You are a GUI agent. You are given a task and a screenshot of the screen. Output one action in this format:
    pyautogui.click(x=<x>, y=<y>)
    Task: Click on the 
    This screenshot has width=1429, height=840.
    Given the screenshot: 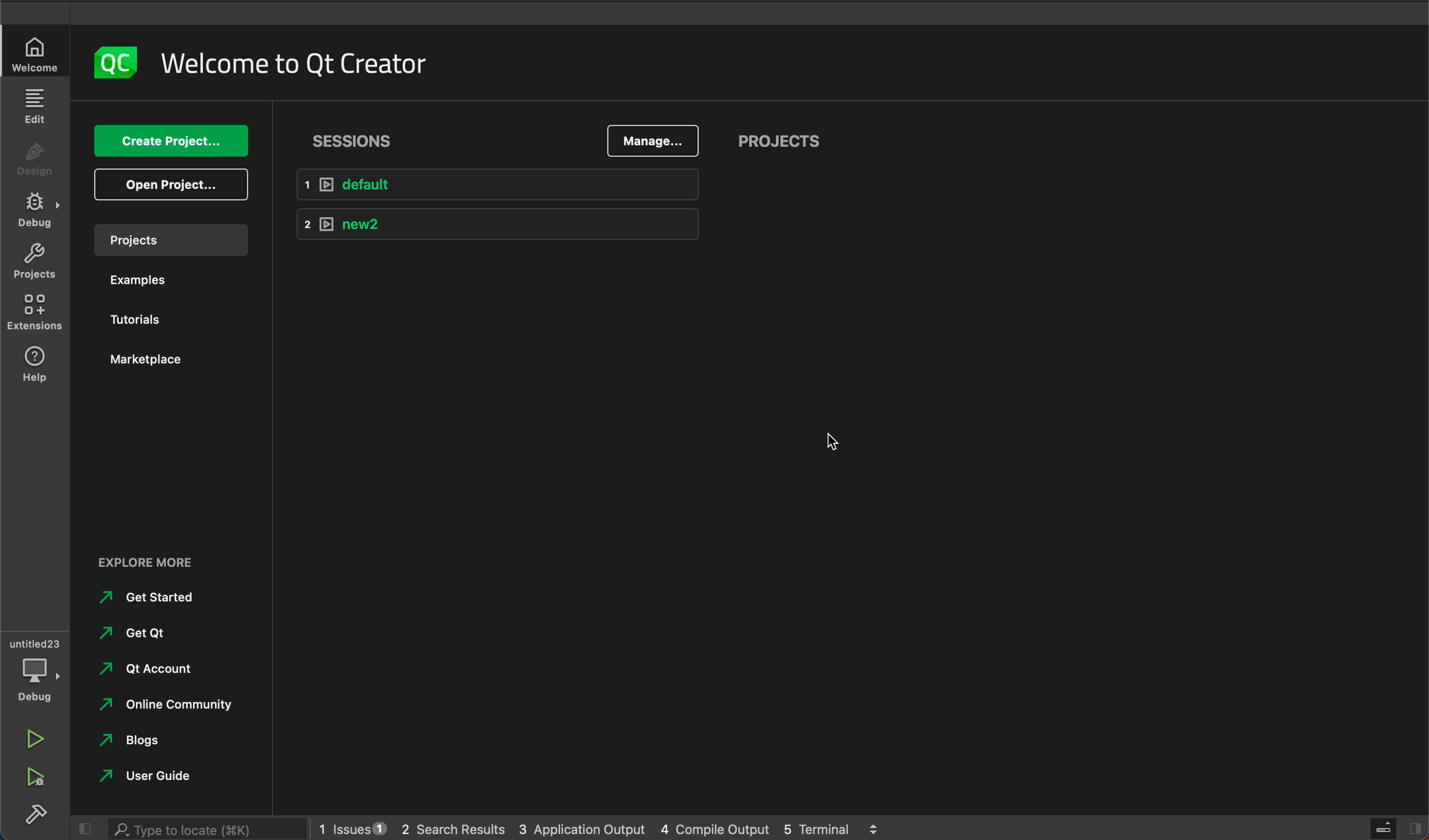 What is the action you would take?
    pyautogui.click(x=36, y=817)
    